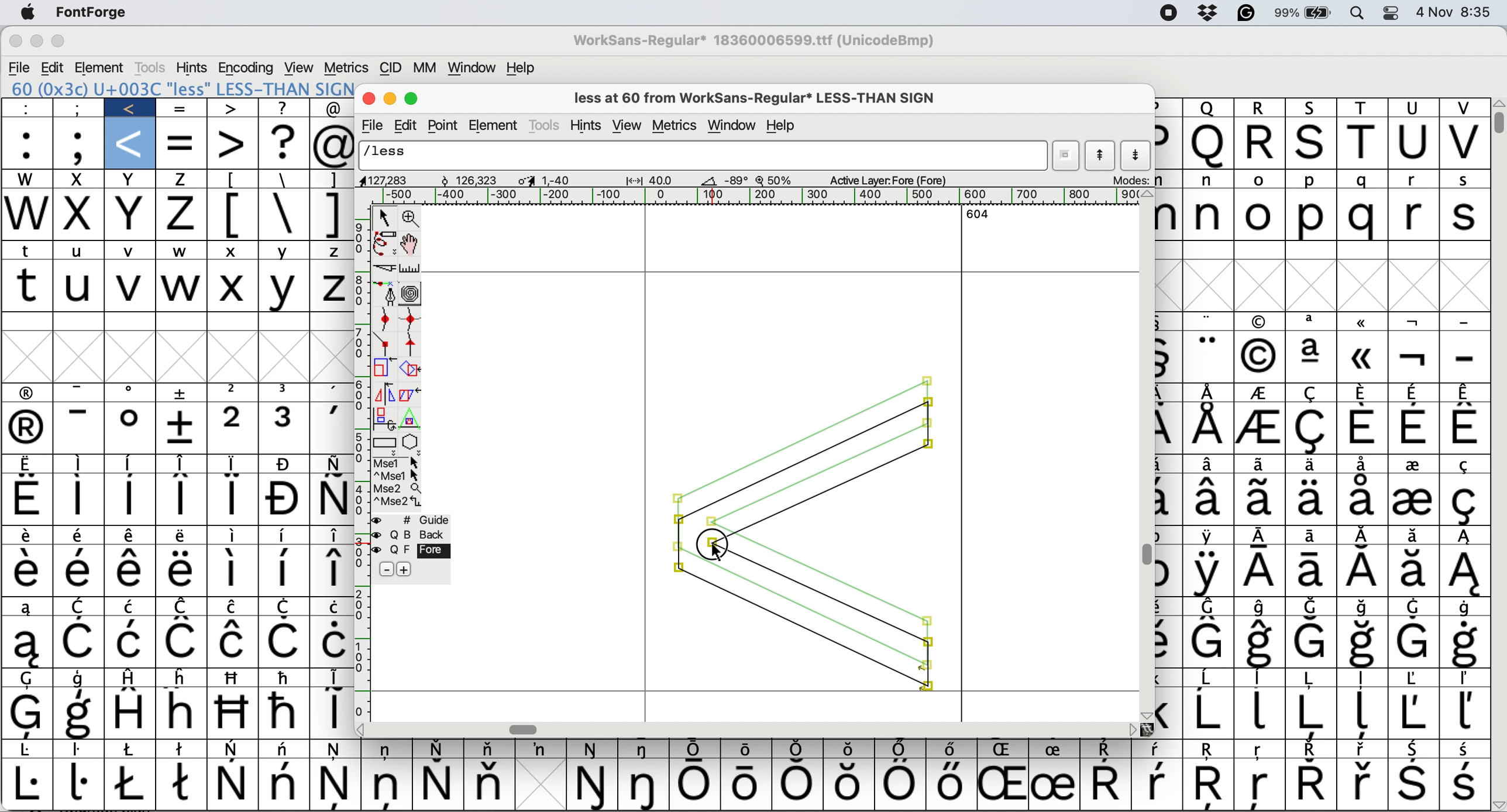  I want to click on Symbol, so click(797, 785).